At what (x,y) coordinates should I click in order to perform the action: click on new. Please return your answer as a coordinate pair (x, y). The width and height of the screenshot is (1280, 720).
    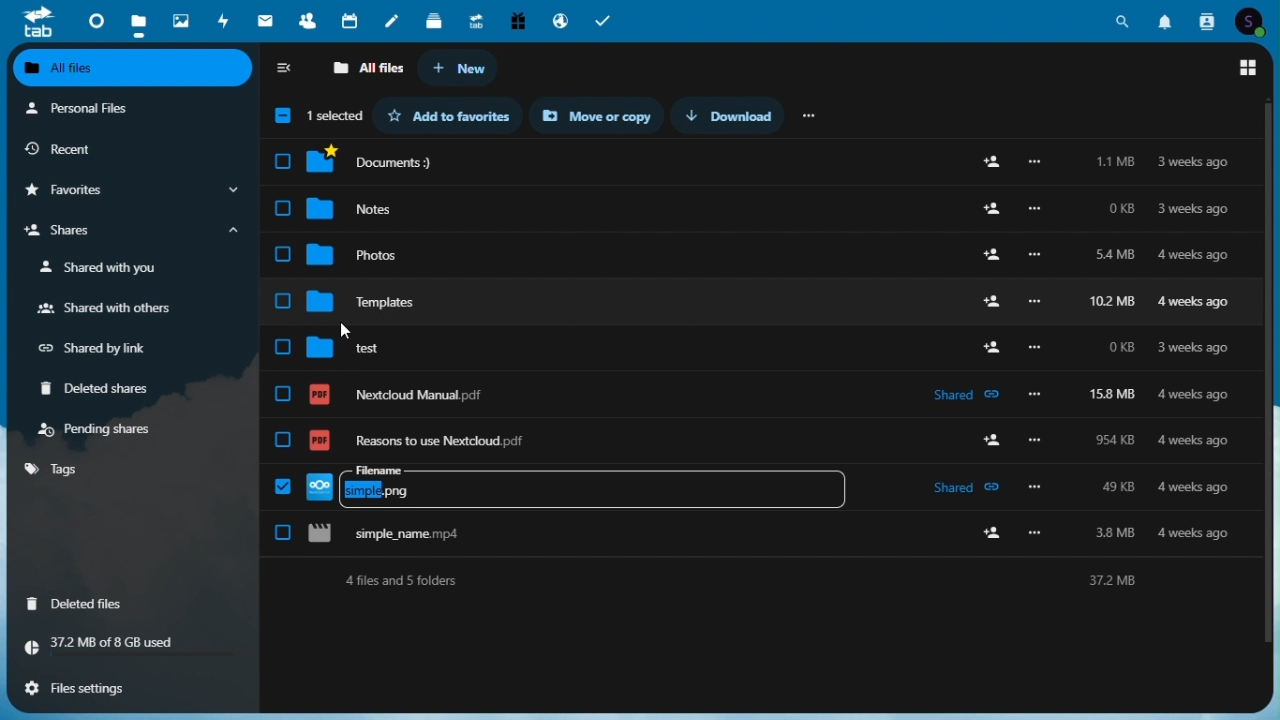
    Looking at the image, I should click on (459, 69).